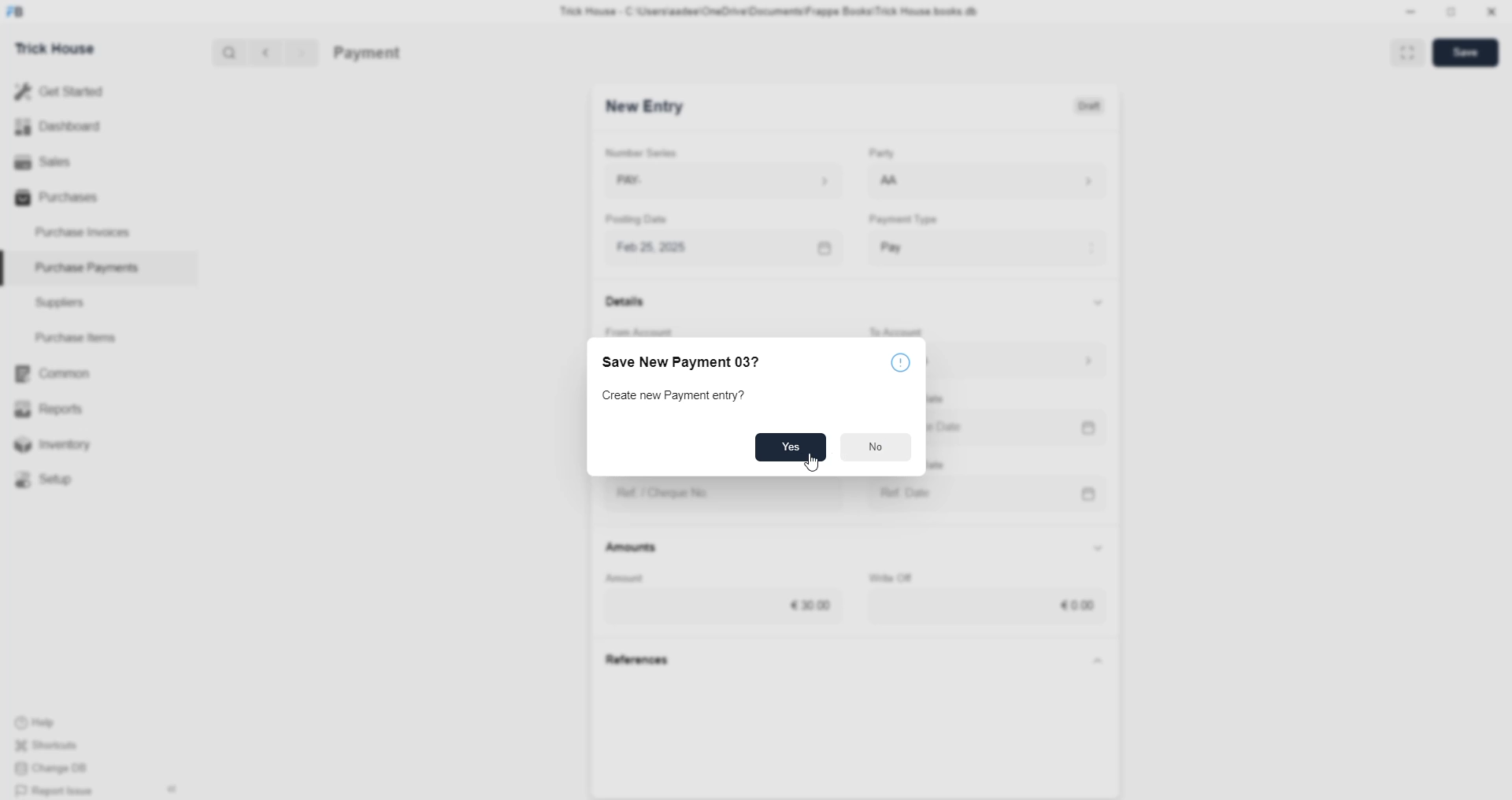  Describe the element at coordinates (810, 465) in the screenshot. I see `cursor` at that location.